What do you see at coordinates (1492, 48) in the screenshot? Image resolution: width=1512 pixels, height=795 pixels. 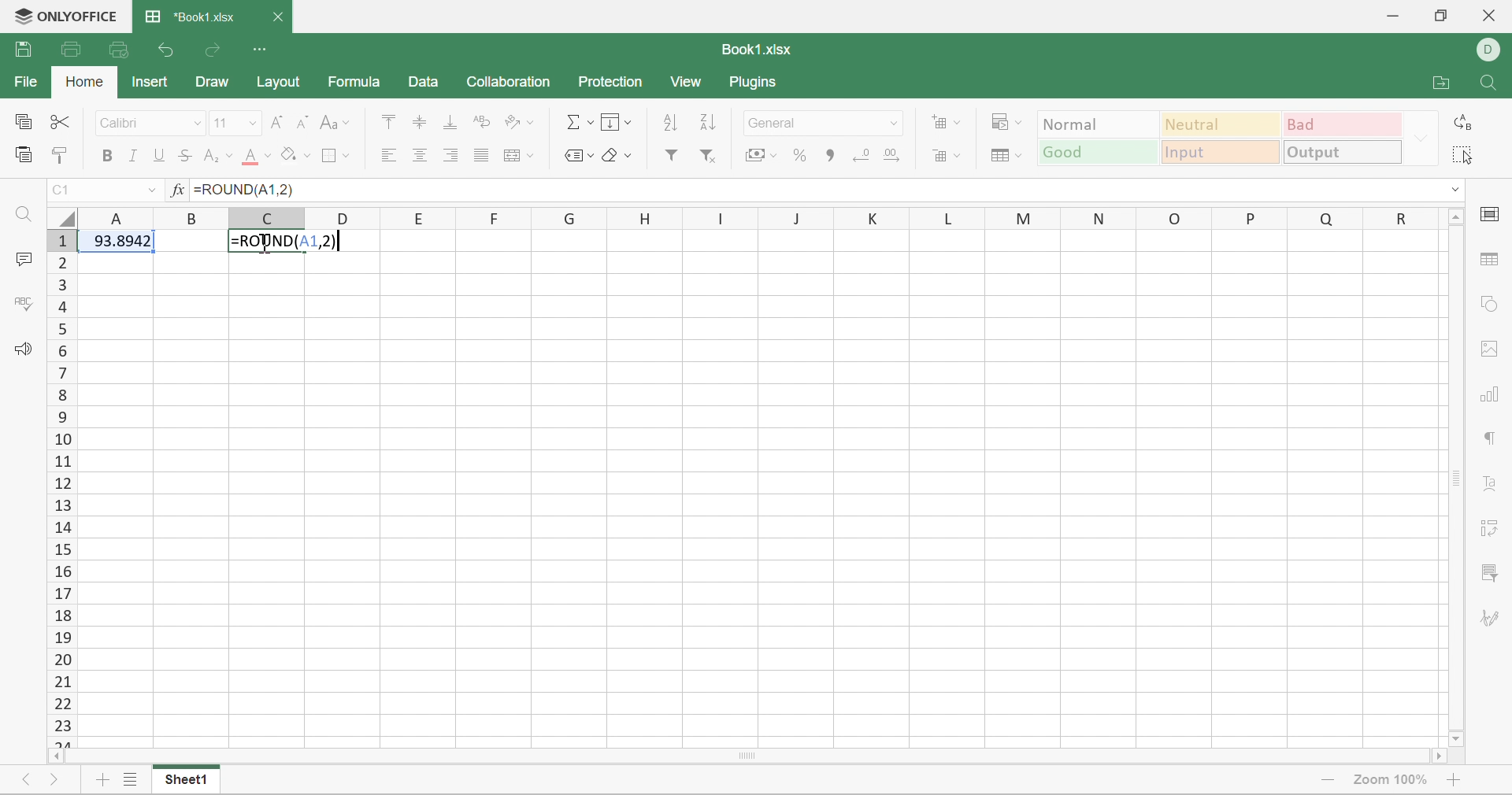 I see `DELL` at bounding box center [1492, 48].